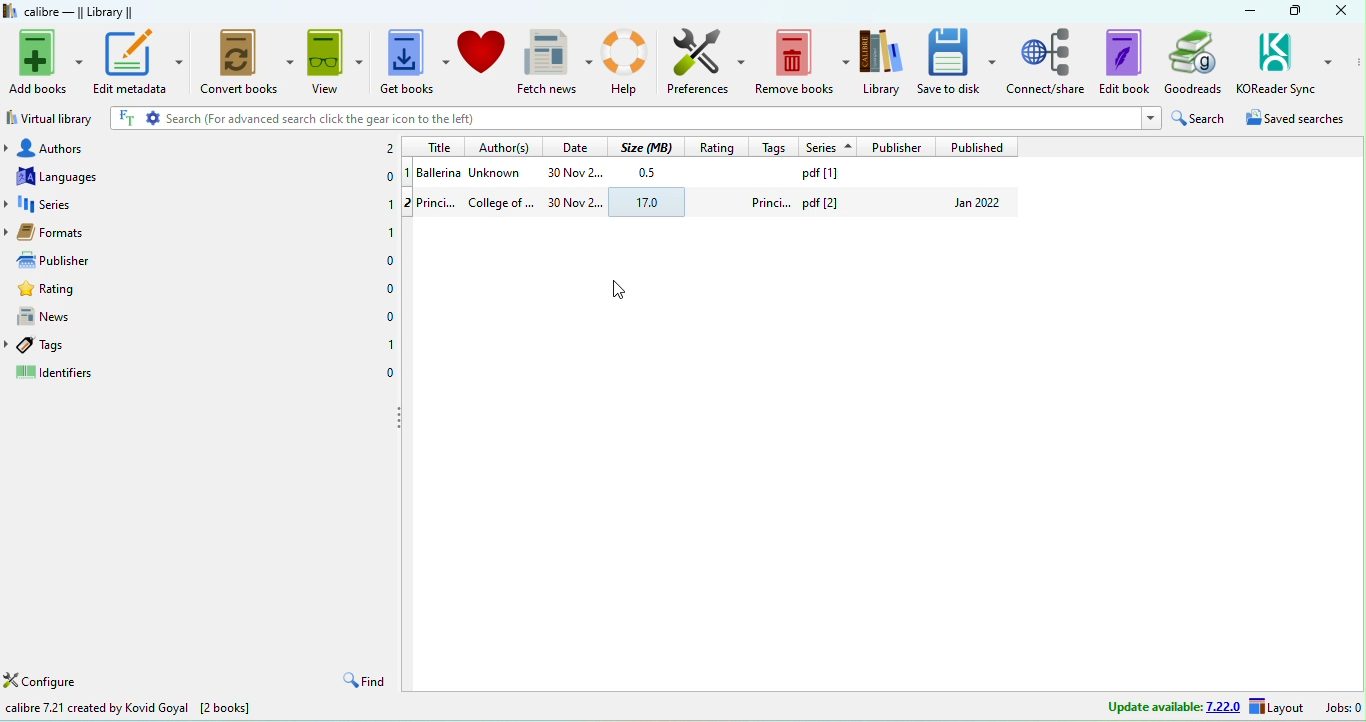 This screenshot has width=1366, height=722. What do you see at coordinates (9, 205) in the screenshot?
I see `drop down` at bounding box center [9, 205].